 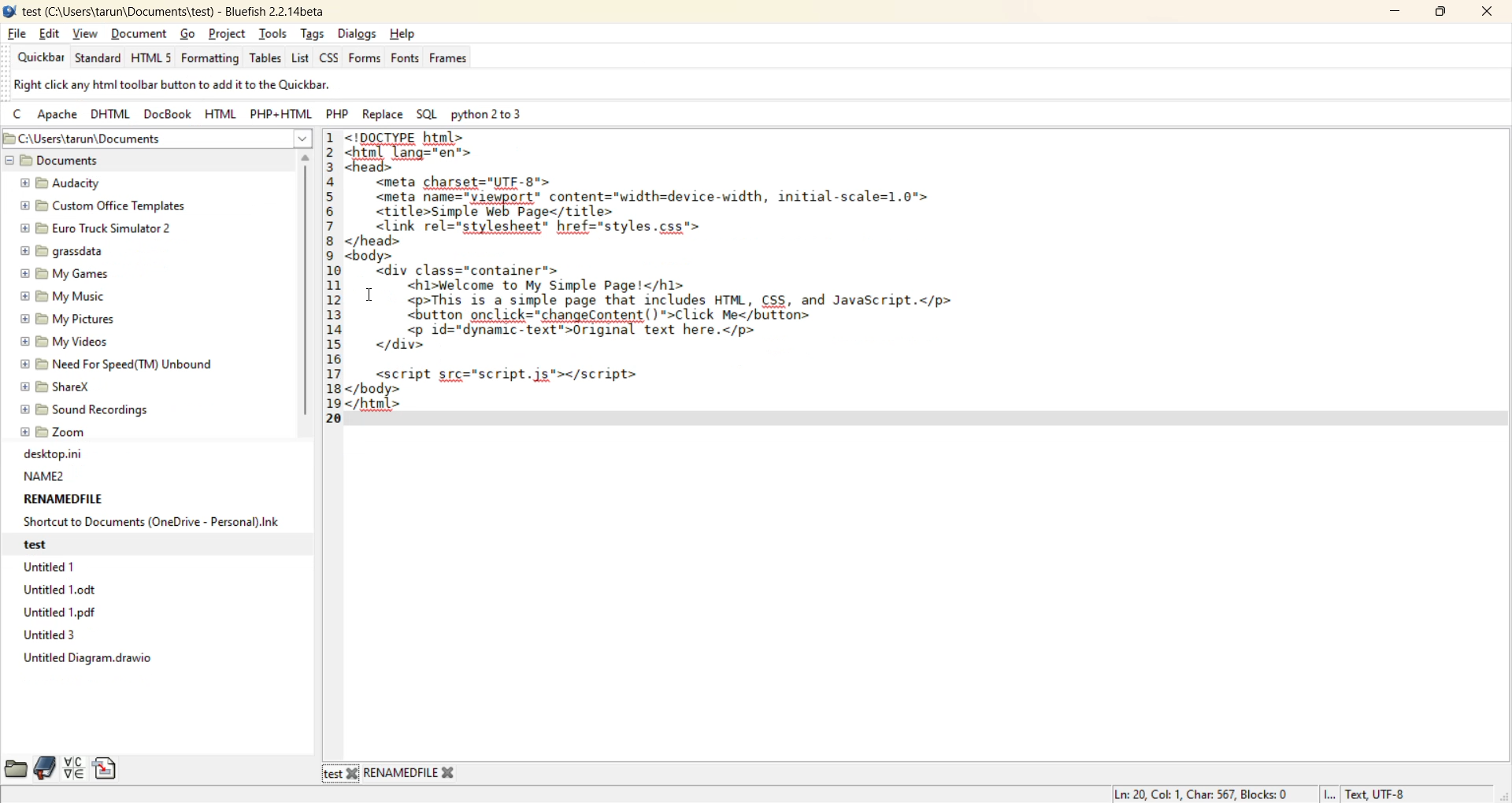 What do you see at coordinates (100, 57) in the screenshot?
I see `standard` at bounding box center [100, 57].